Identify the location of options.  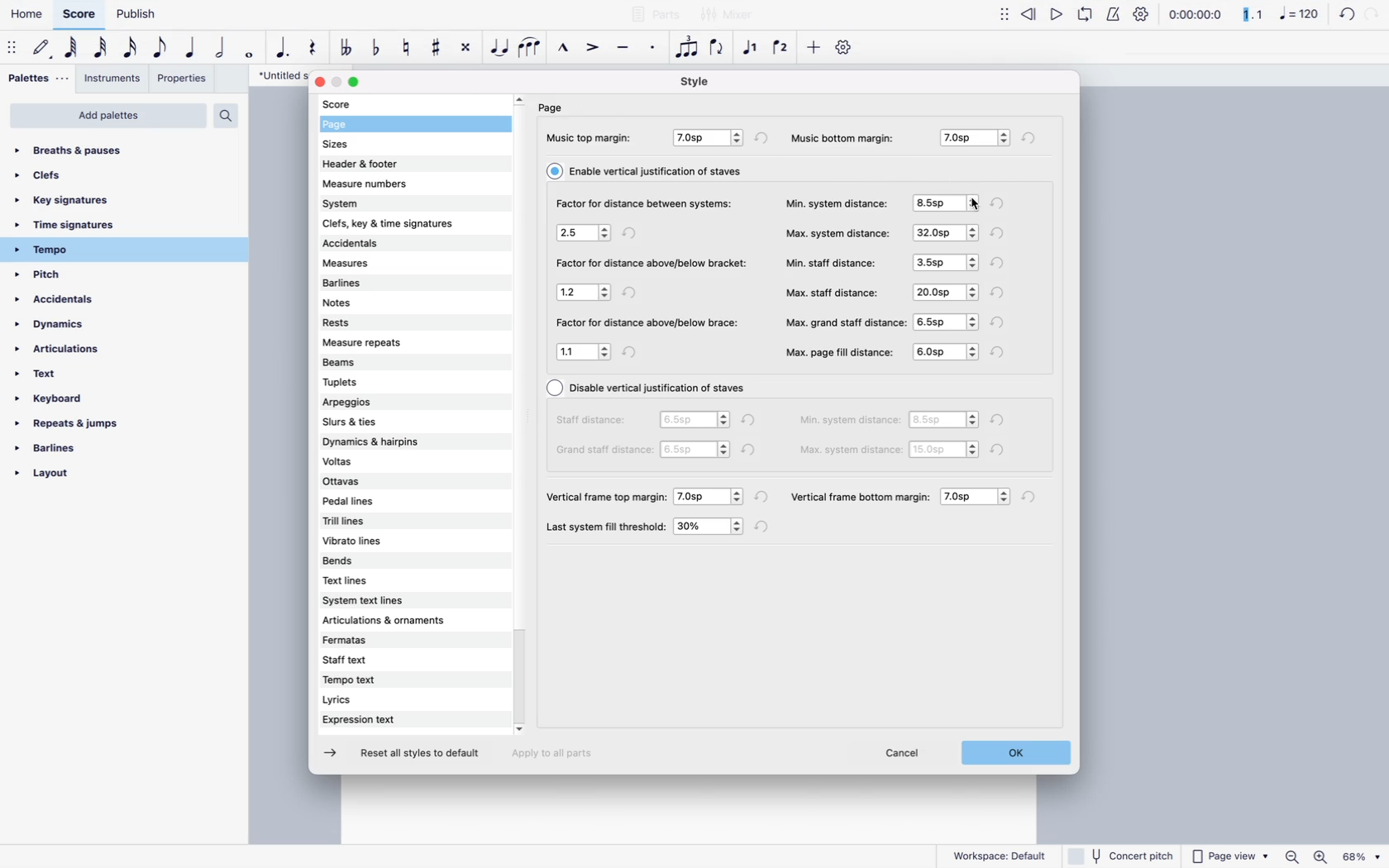
(584, 293).